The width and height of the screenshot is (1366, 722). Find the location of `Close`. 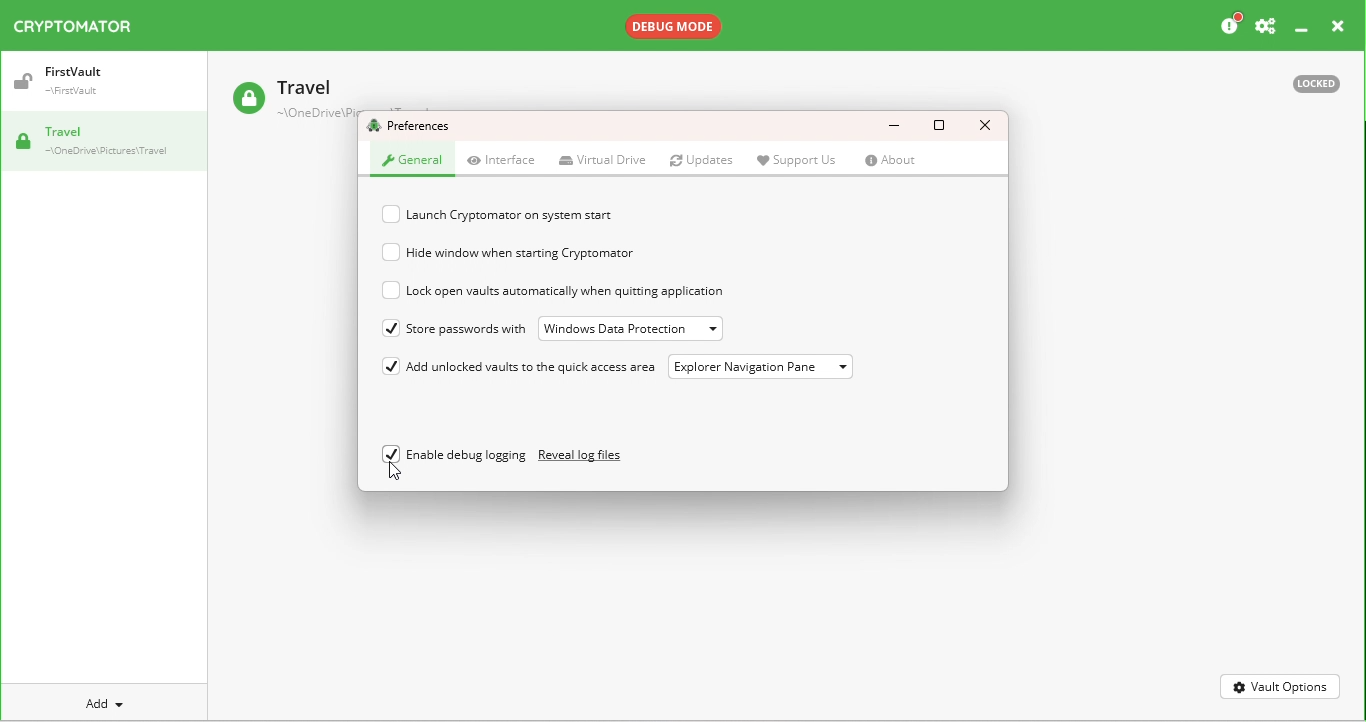

Close is located at coordinates (986, 124).